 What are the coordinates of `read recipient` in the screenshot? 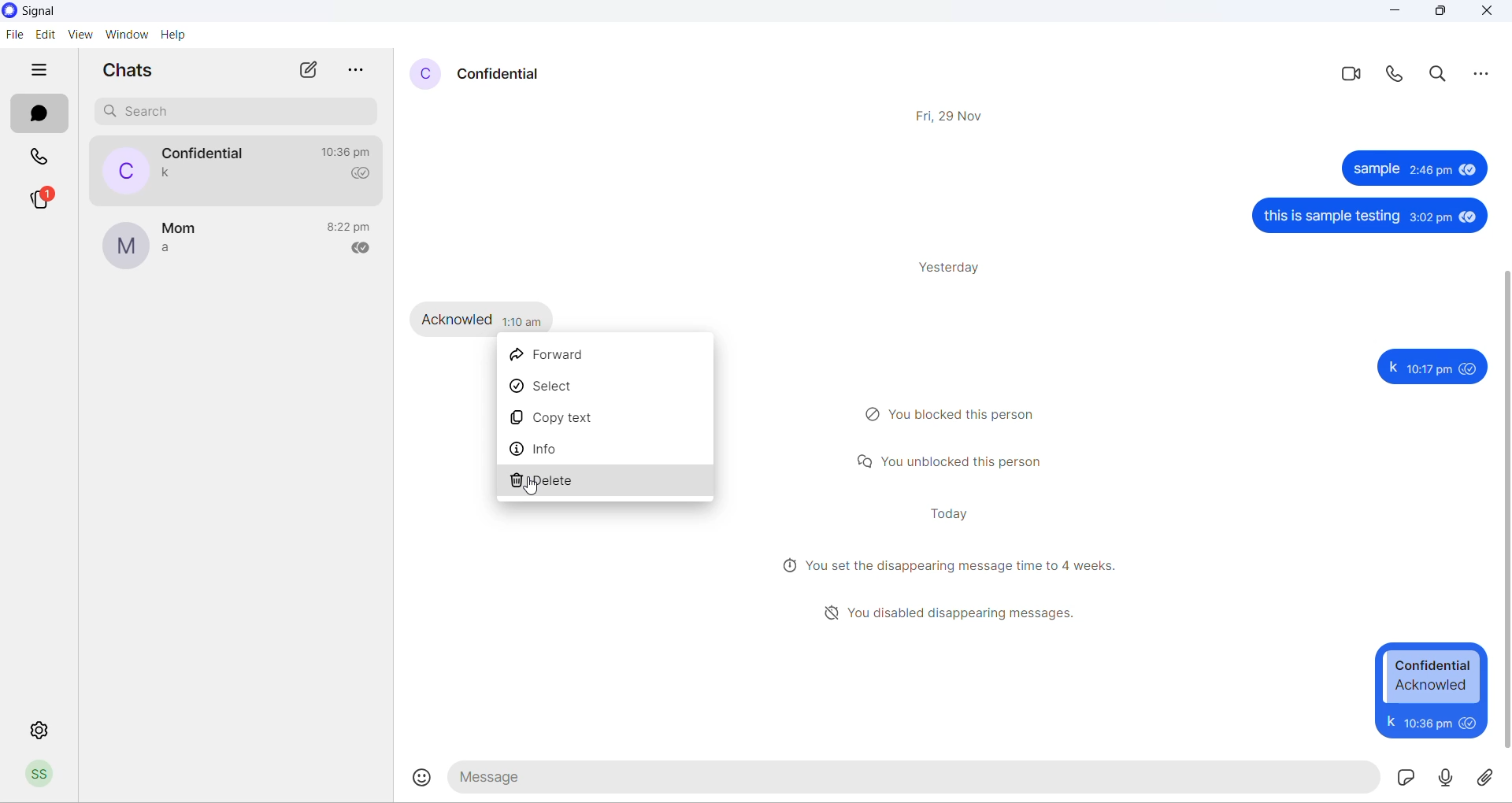 It's located at (365, 175).